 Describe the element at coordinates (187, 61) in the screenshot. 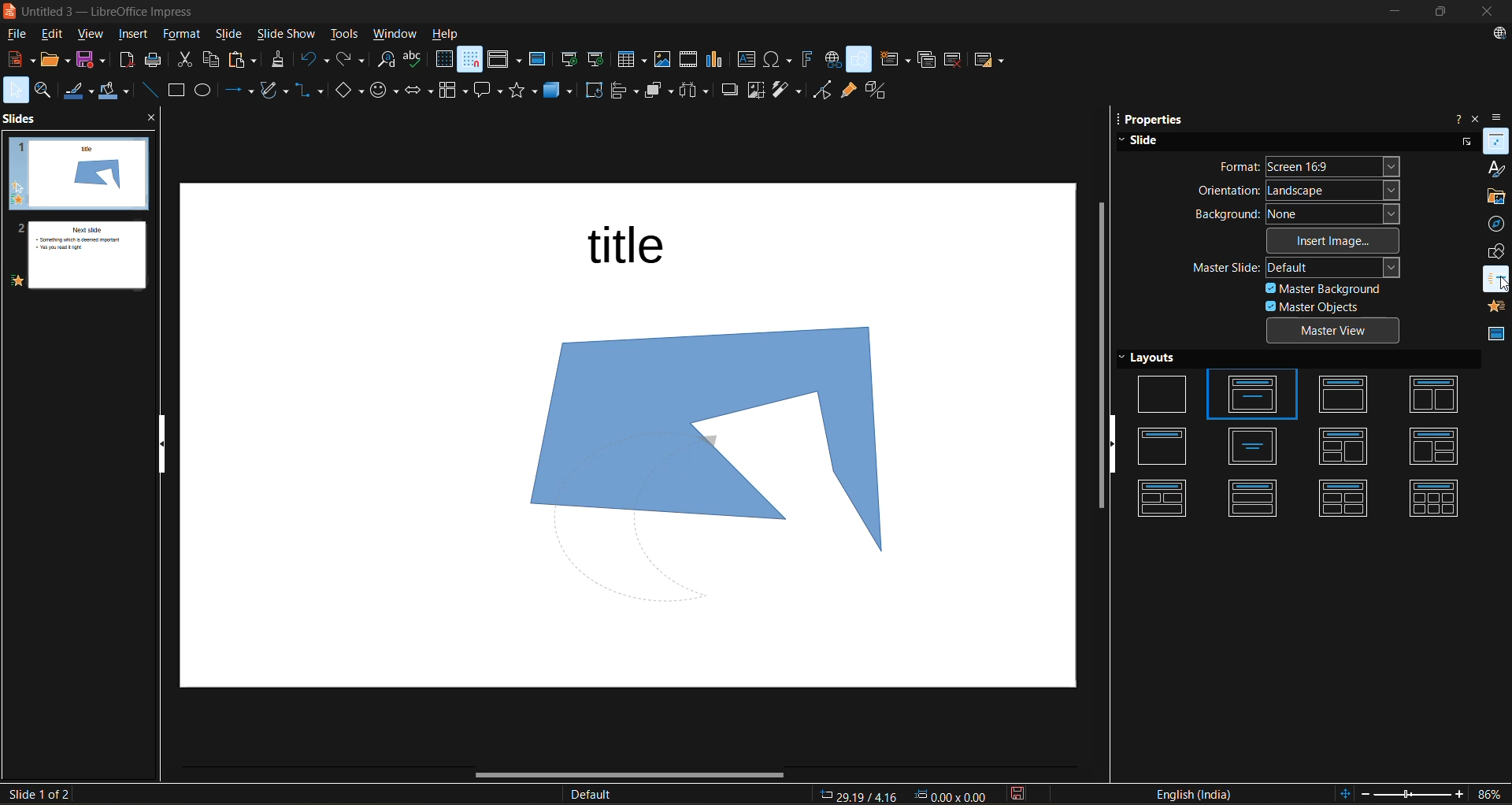

I see `cut` at that location.